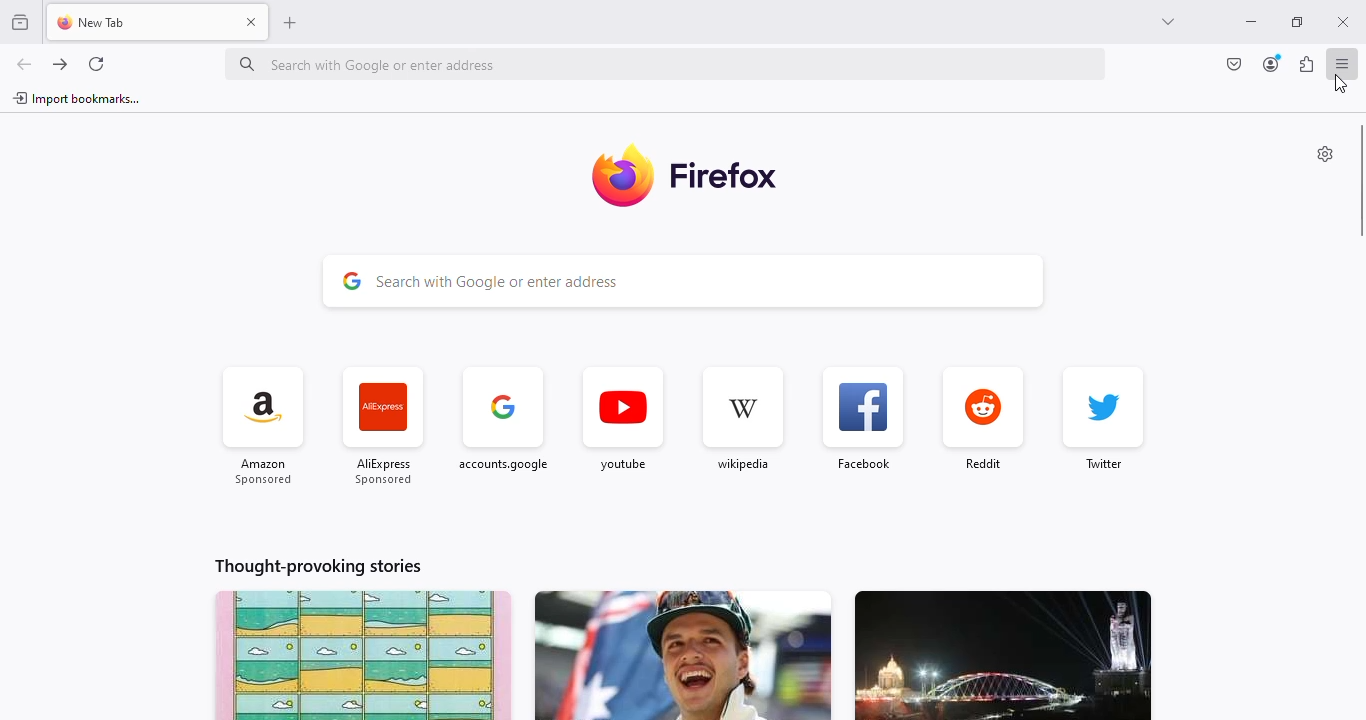 This screenshot has height=720, width=1366. What do you see at coordinates (682, 655) in the screenshot?
I see `story` at bounding box center [682, 655].